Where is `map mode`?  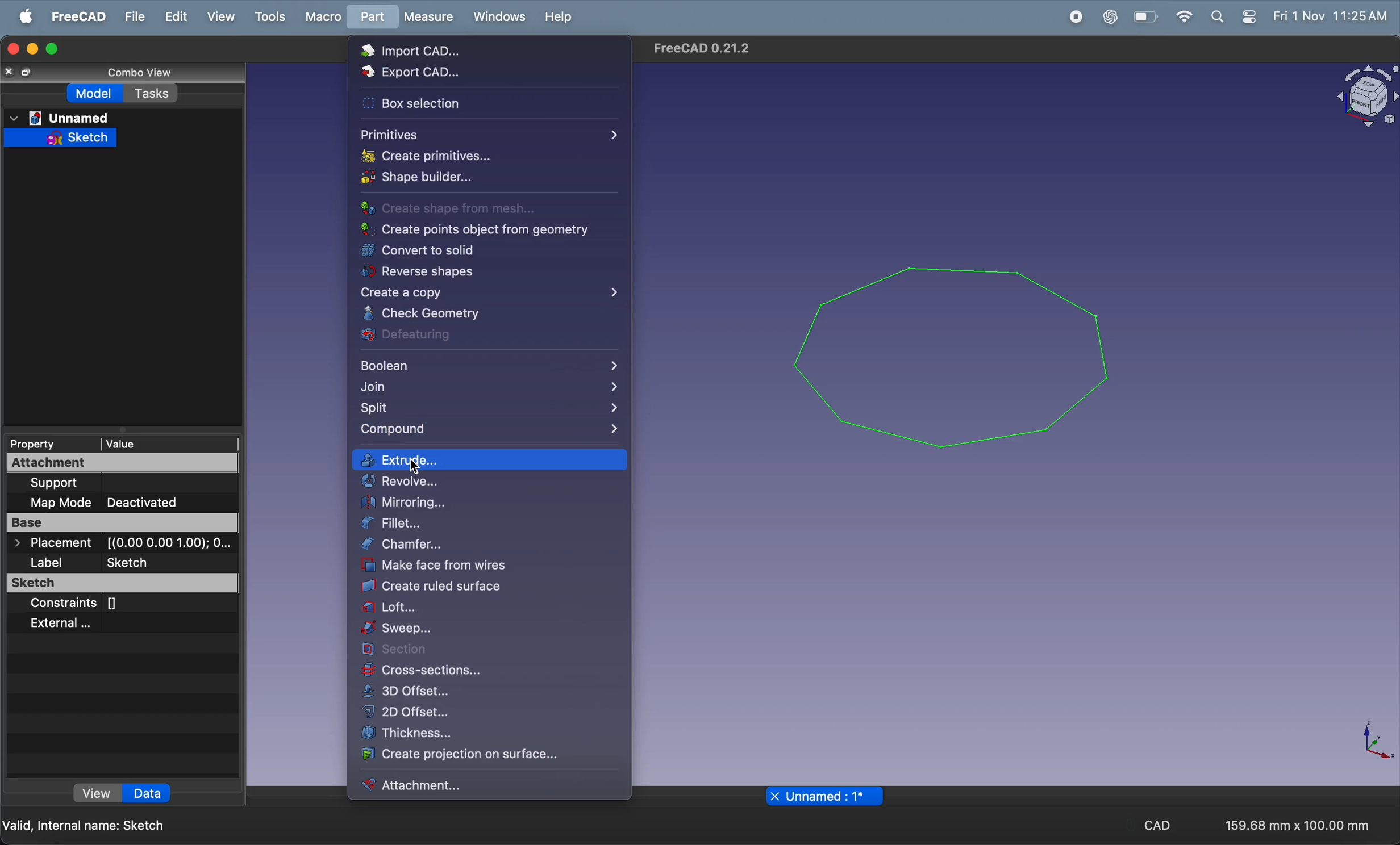
map mode is located at coordinates (60, 502).